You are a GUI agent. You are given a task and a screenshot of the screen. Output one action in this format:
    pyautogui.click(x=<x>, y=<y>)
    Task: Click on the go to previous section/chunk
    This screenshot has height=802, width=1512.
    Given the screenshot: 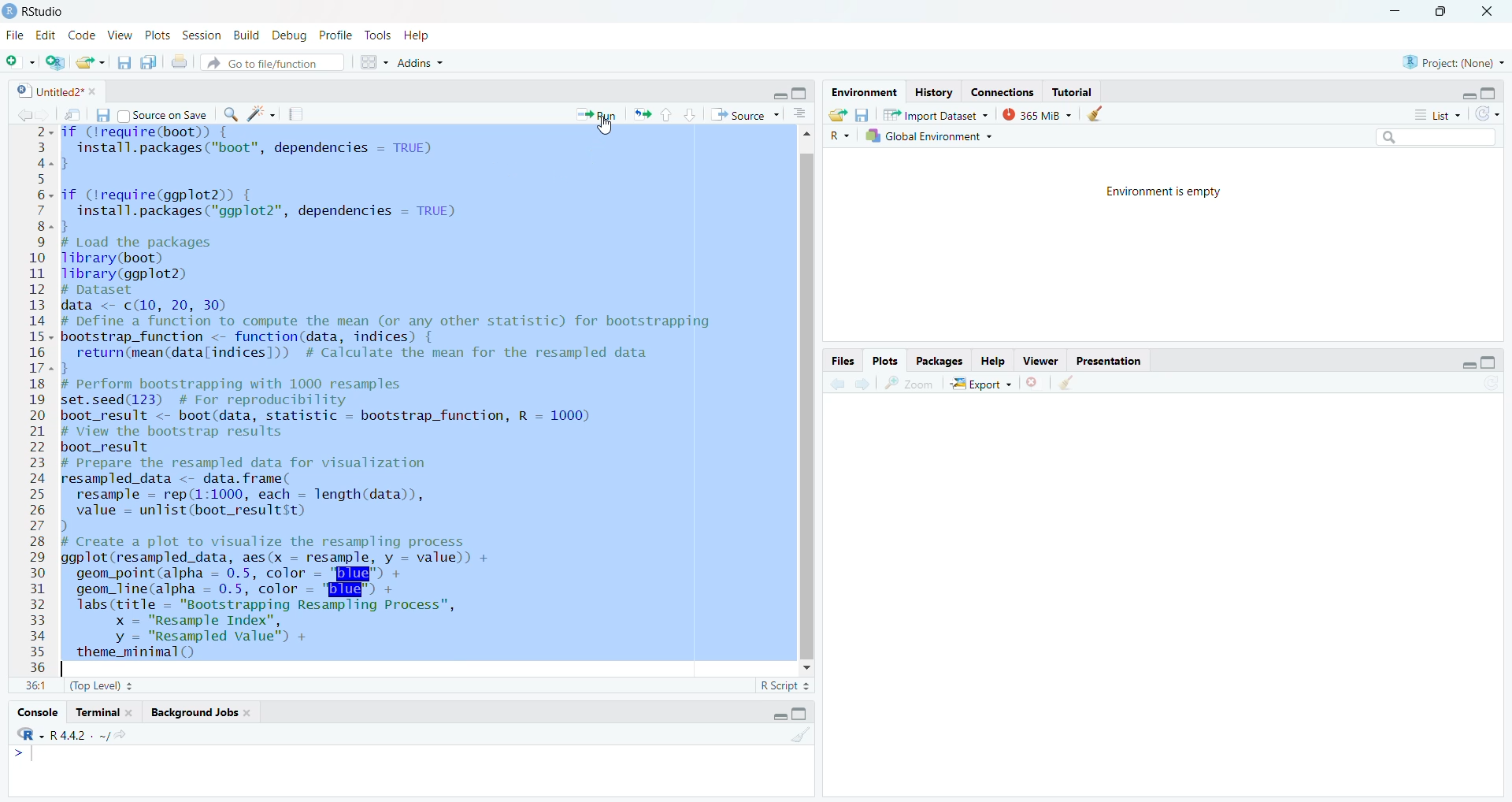 What is the action you would take?
    pyautogui.click(x=665, y=116)
    